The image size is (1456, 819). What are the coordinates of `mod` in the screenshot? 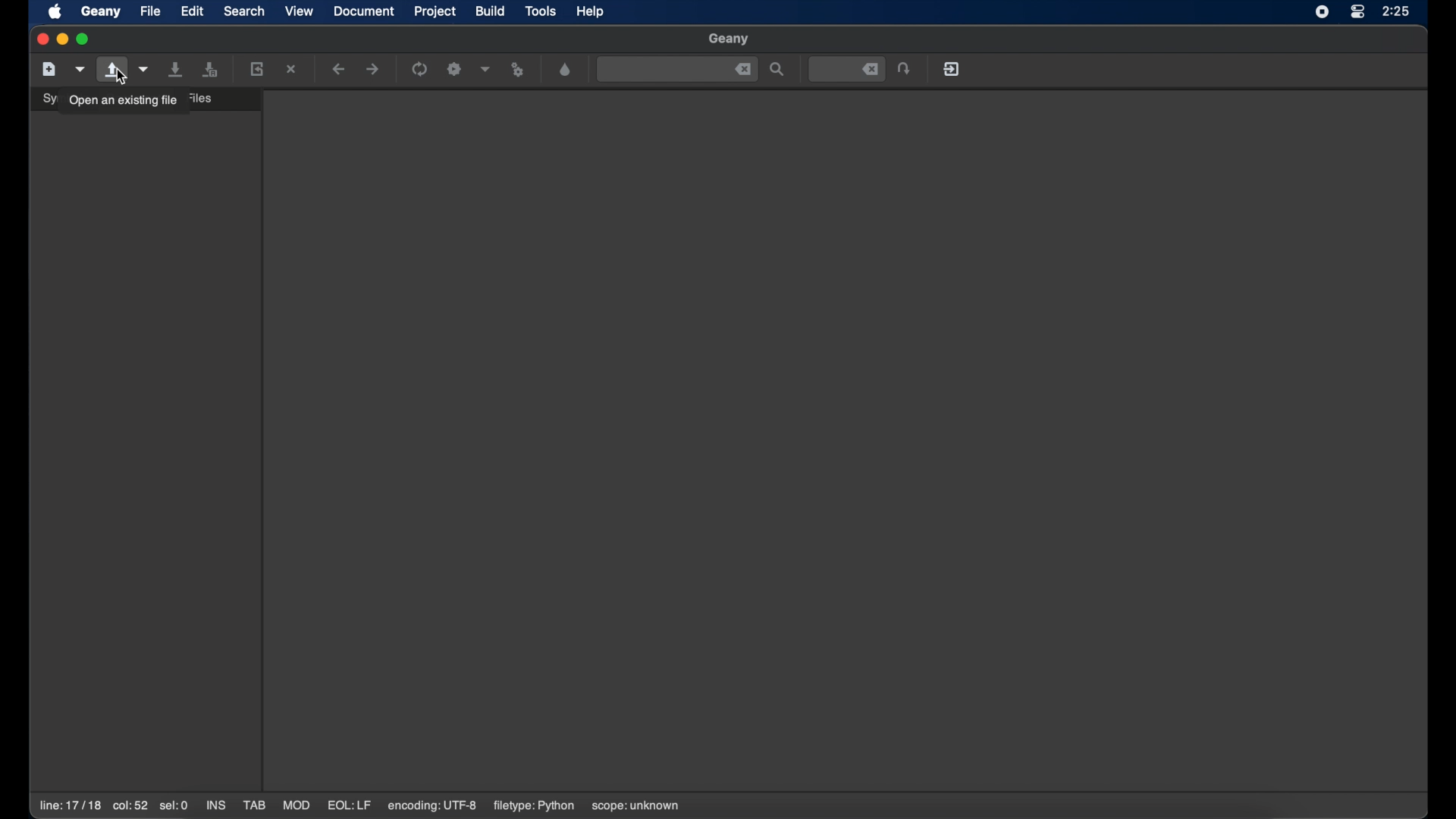 It's located at (297, 805).